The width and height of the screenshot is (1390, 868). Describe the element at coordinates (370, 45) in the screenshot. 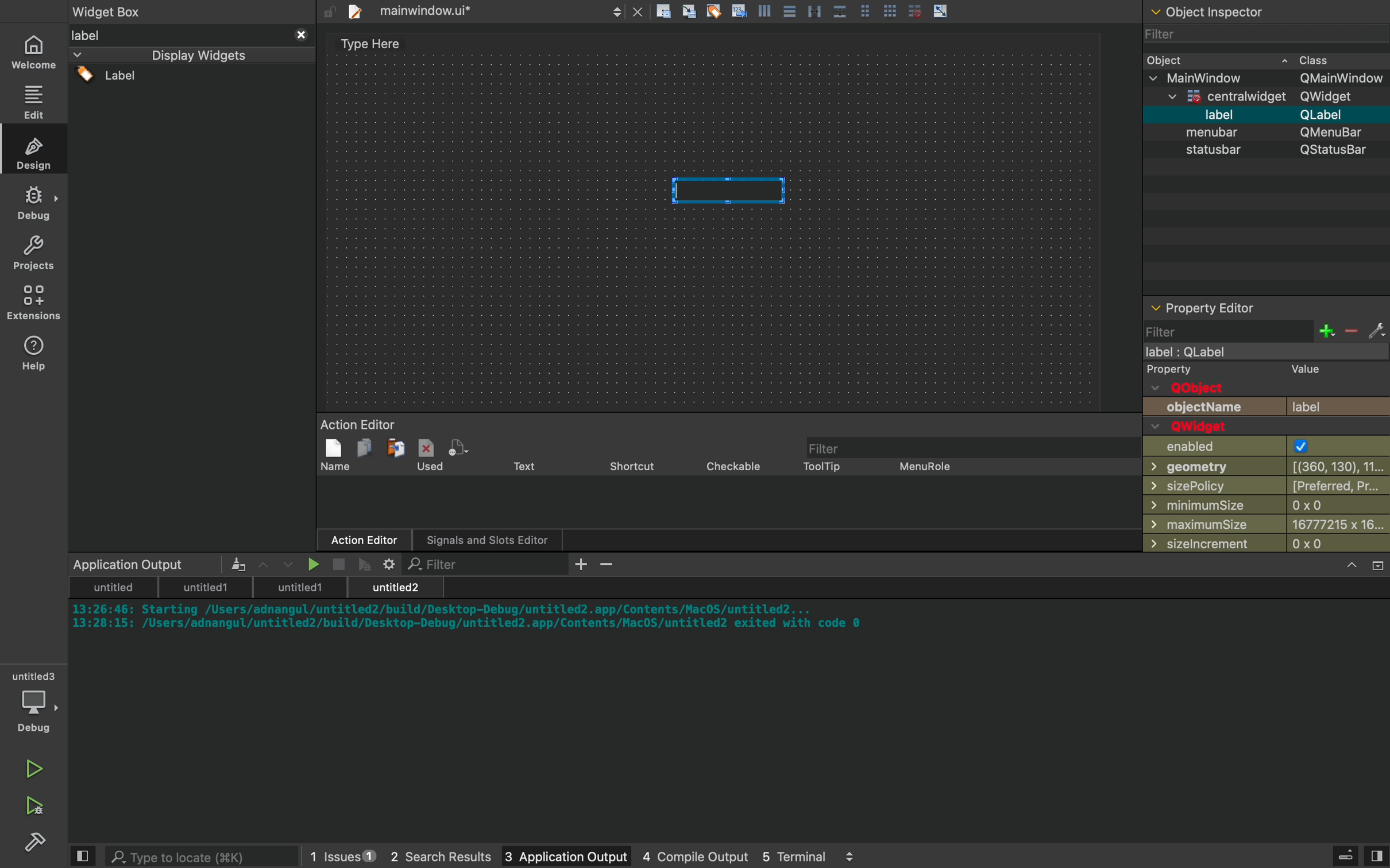

I see `Type Here` at that location.